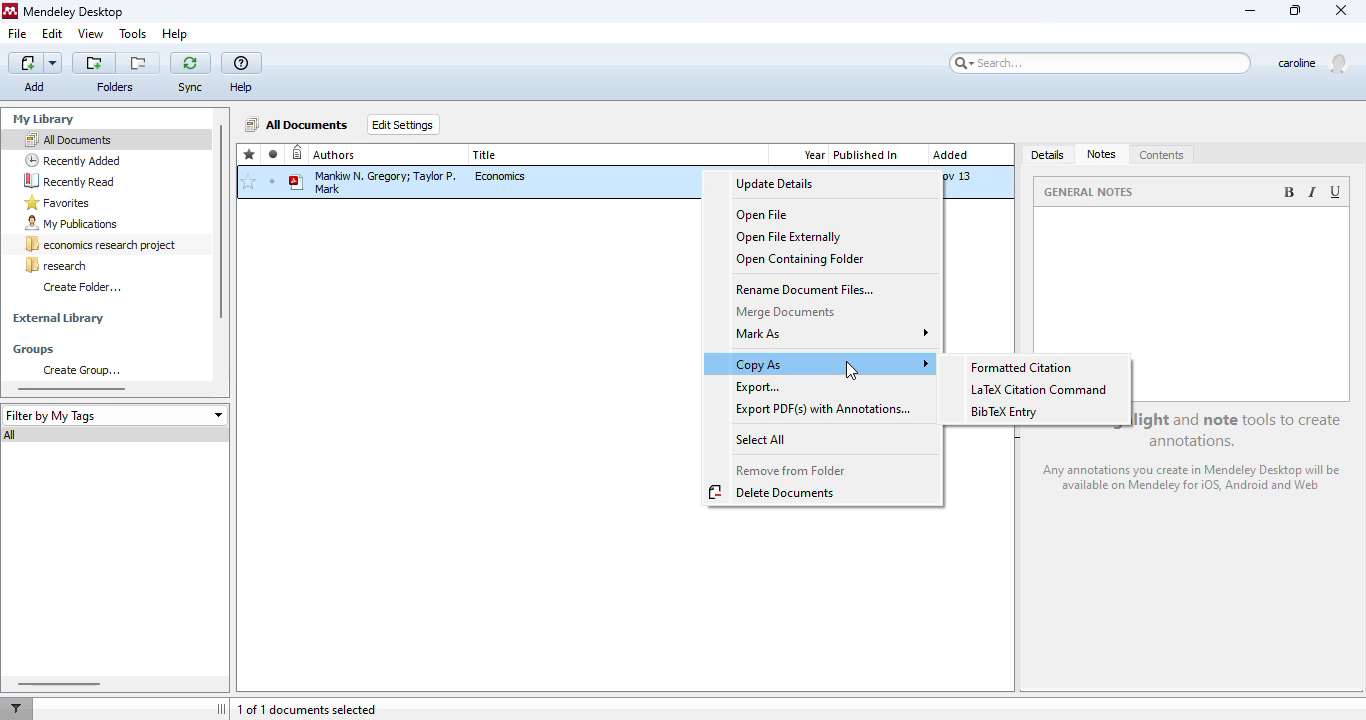 The height and width of the screenshot is (720, 1366). What do you see at coordinates (775, 184) in the screenshot?
I see `update details` at bounding box center [775, 184].